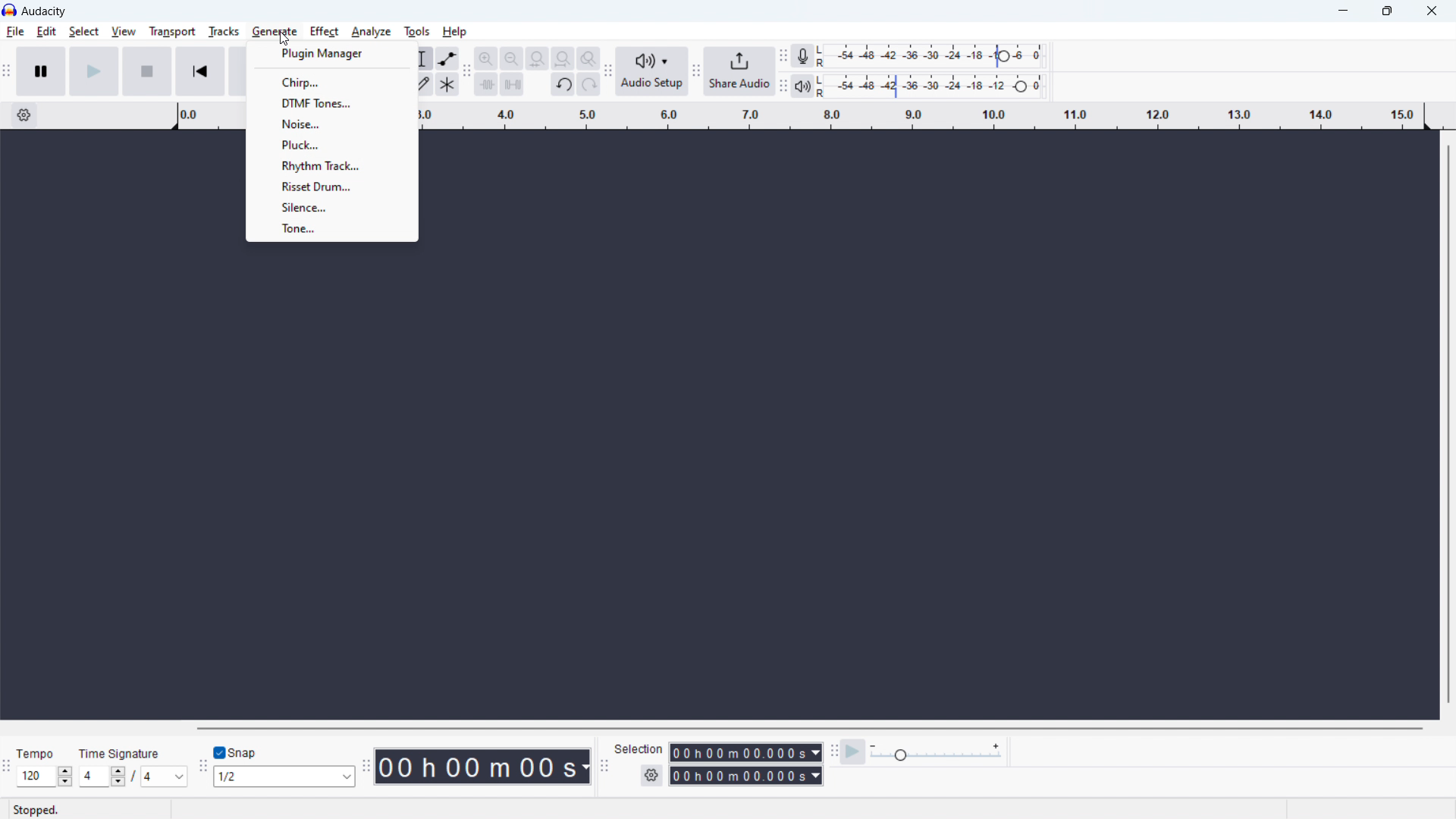 This screenshot has height=819, width=1456. What do you see at coordinates (422, 58) in the screenshot?
I see `selection tool` at bounding box center [422, 58].